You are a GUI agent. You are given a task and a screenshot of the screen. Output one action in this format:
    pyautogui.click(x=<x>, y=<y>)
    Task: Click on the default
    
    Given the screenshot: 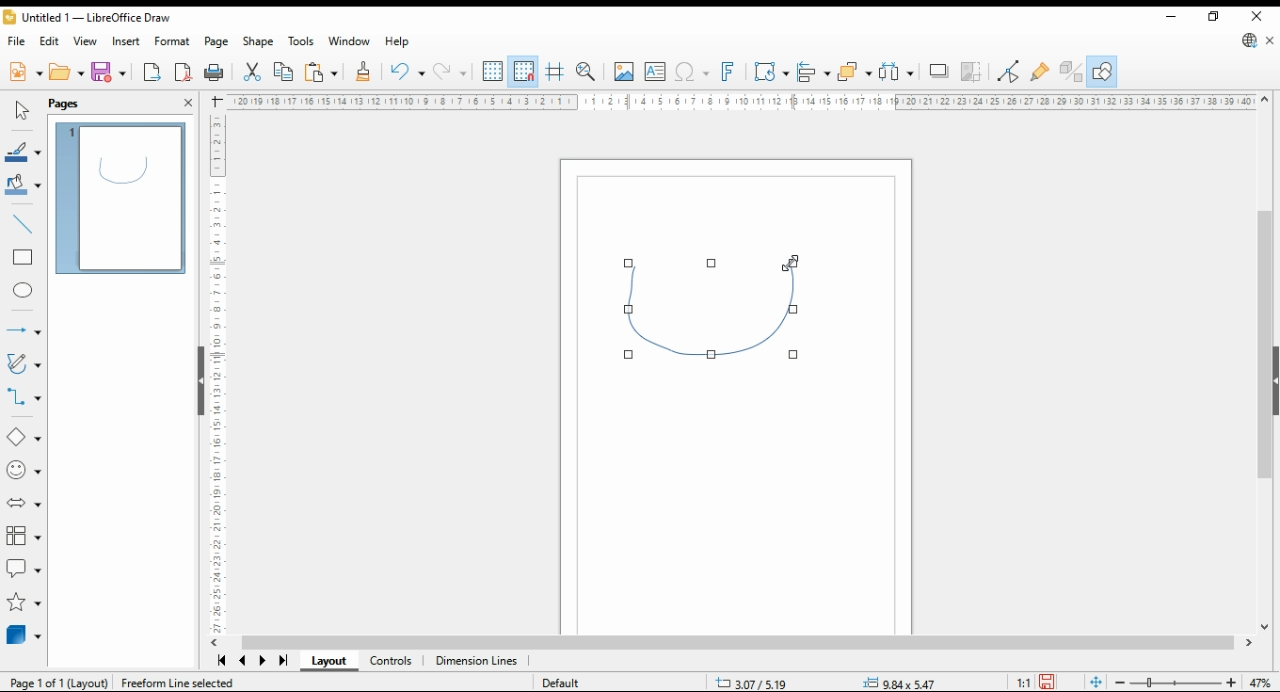 What is the action you would take?
    pyautogui.click(x=561, y=683)
    